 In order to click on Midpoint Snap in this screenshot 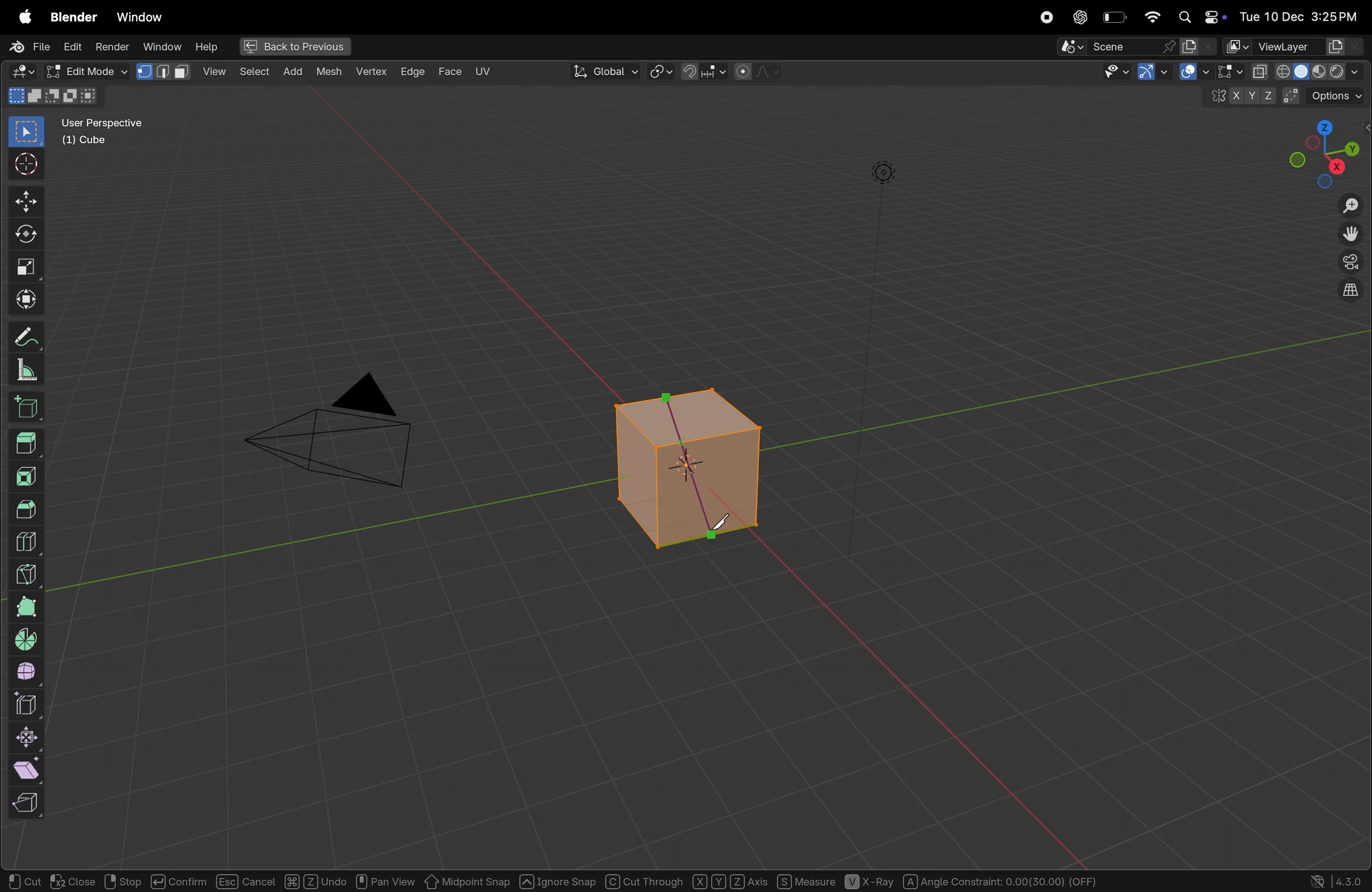, I will do `click(468, 881)`.